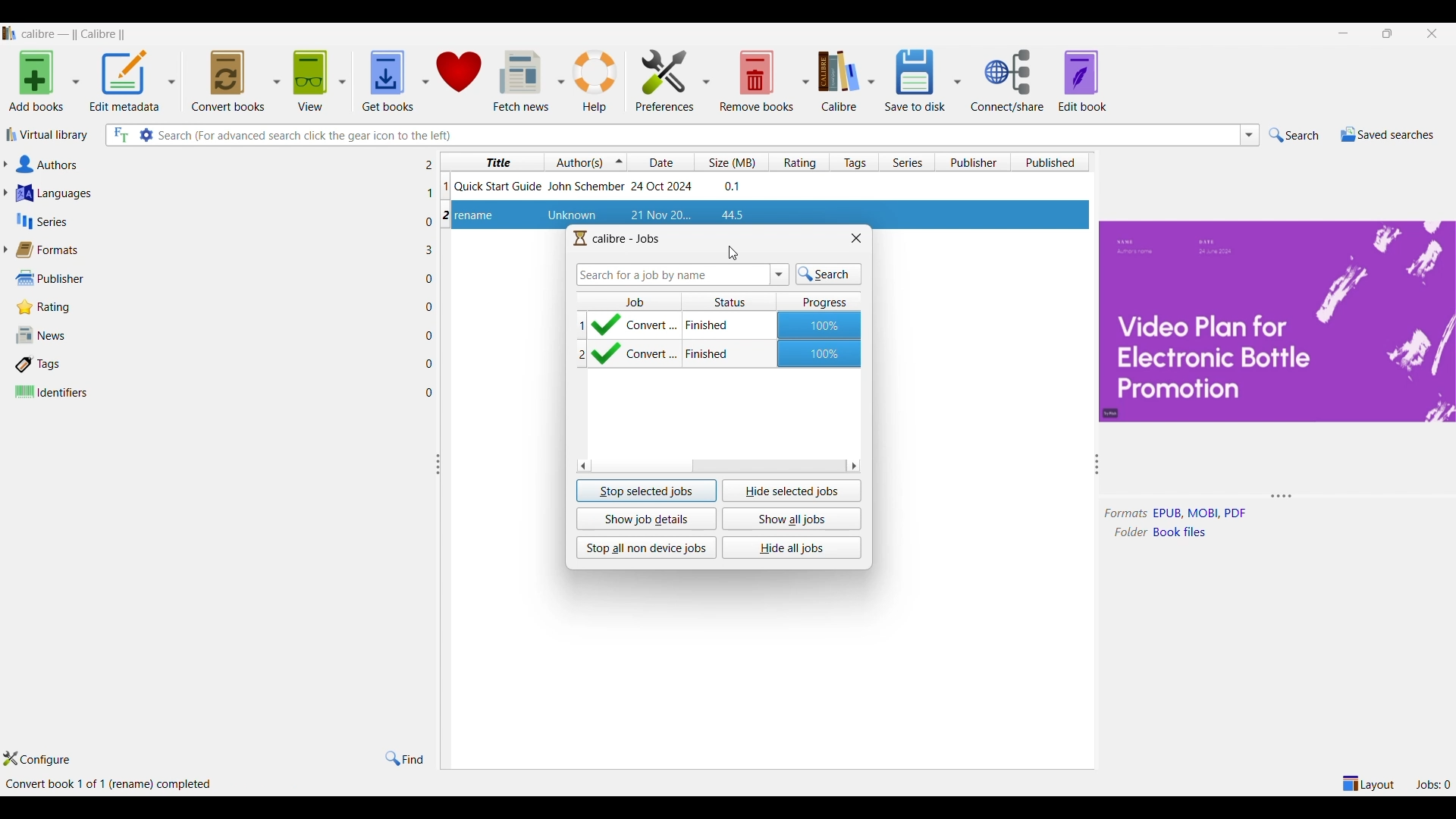 The image size is (1456, 819). What do you see at coordinates (1276, 321) in the screenshot?
I see `Preview and details changed` at bounding box center [1276, 321].